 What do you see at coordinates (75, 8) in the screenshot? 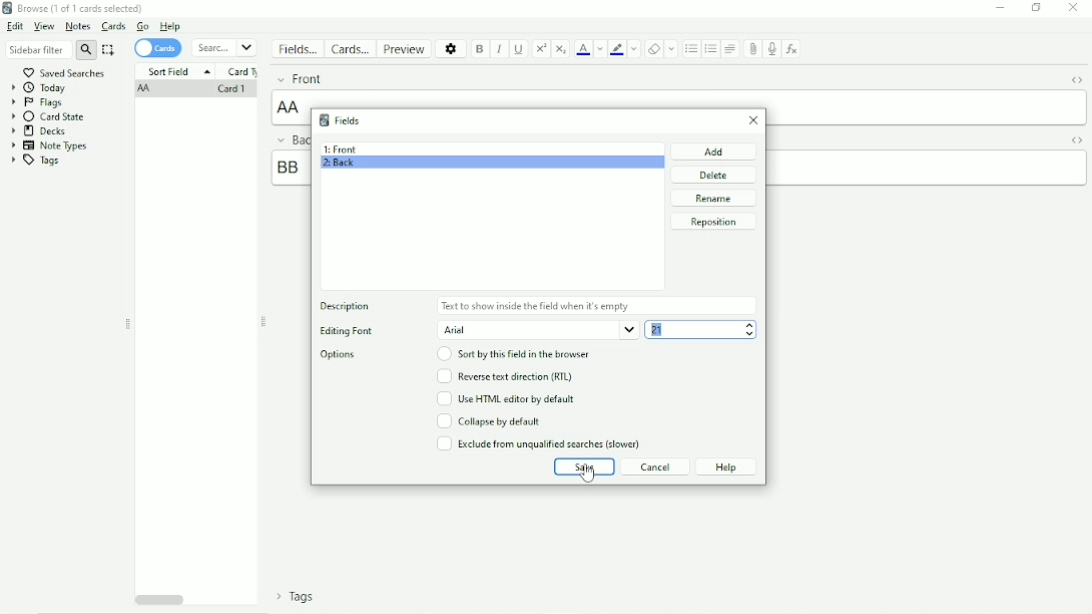
I see `Browse (1 of 1 cards selected)` at bounding box center [75, 8].